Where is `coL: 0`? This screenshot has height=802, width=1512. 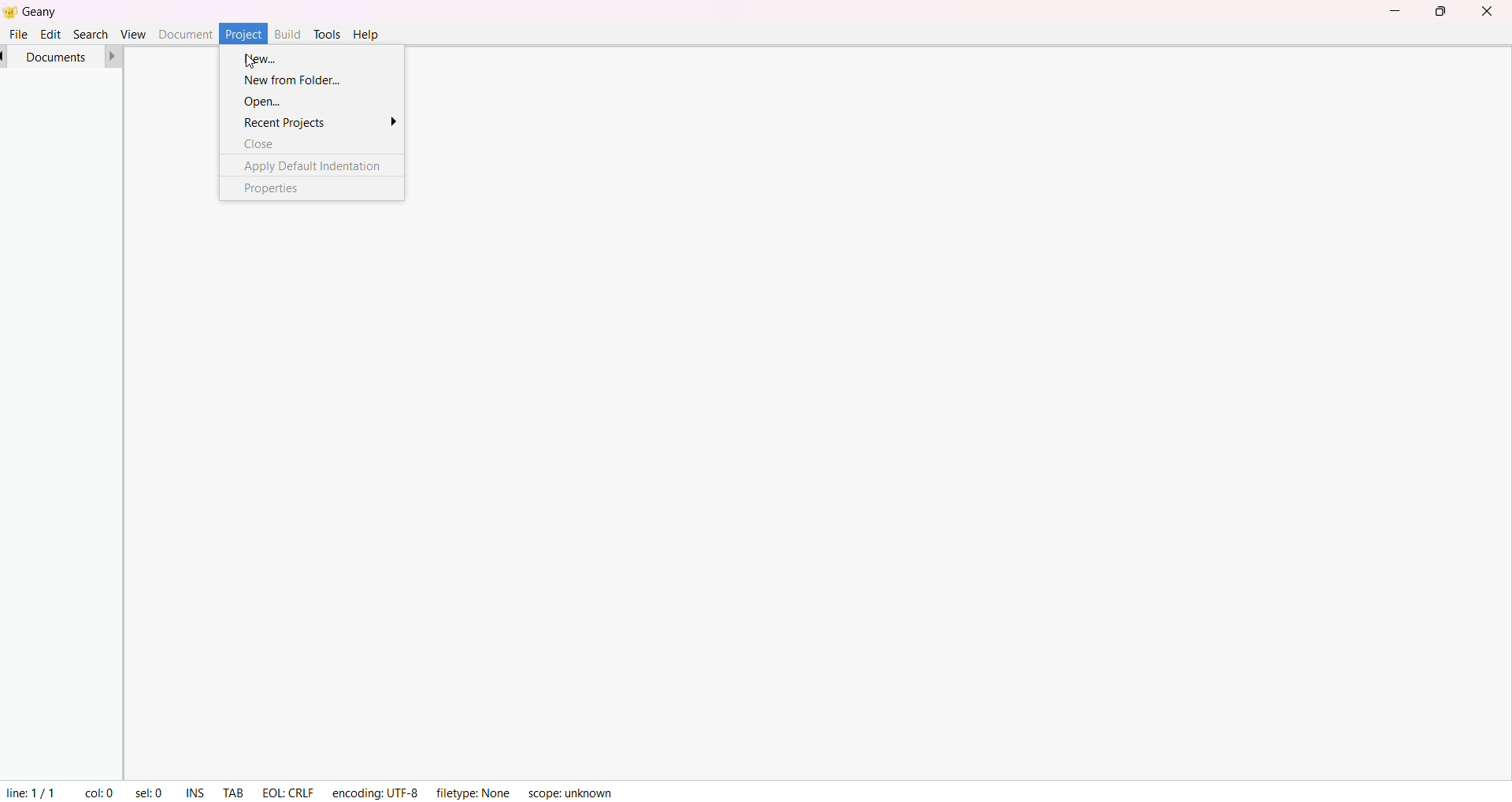 coL: 0 is located at coordinates (99, 793).